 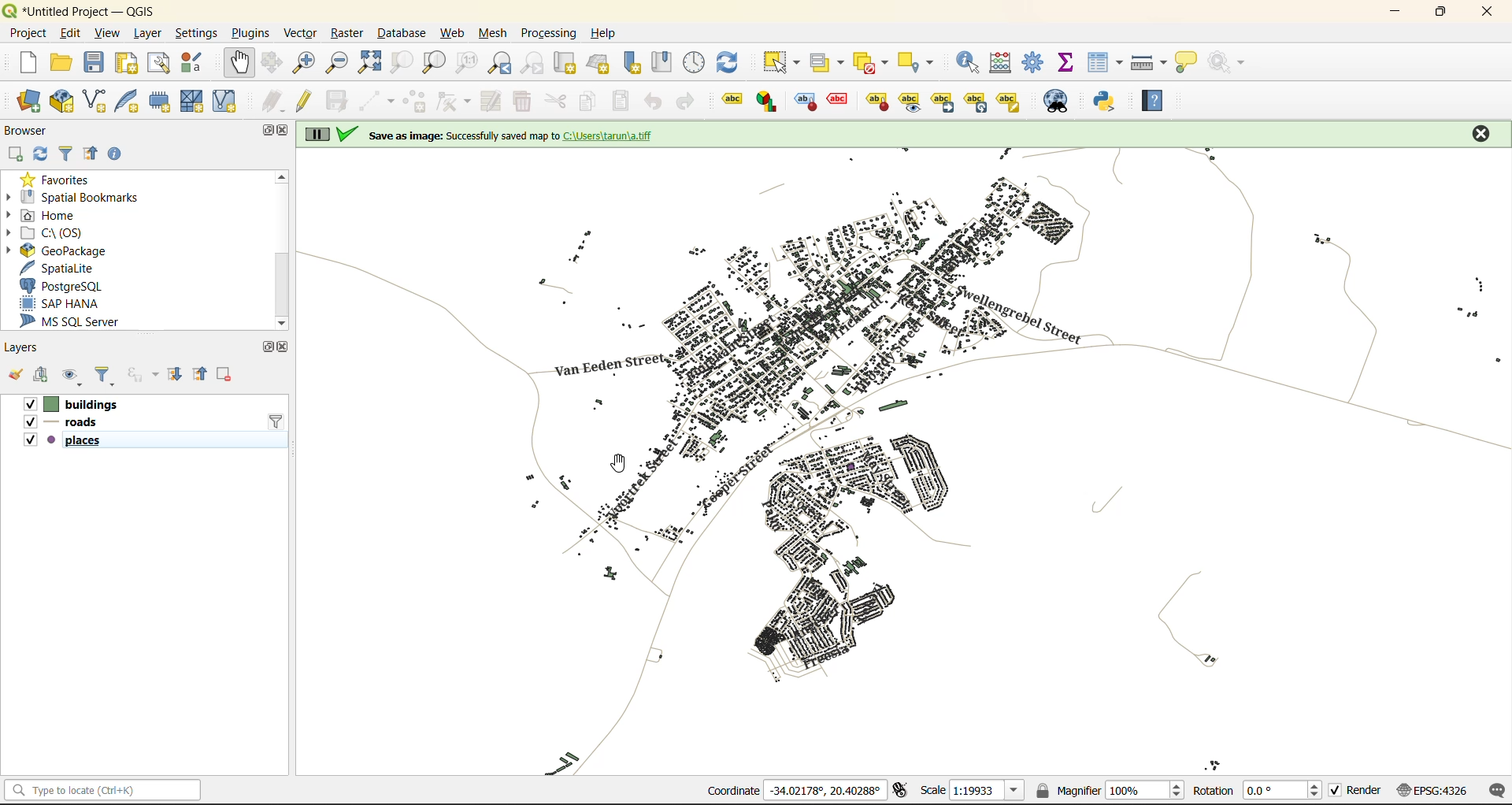 I want to click on zoom last, so click(x=502, y=63).